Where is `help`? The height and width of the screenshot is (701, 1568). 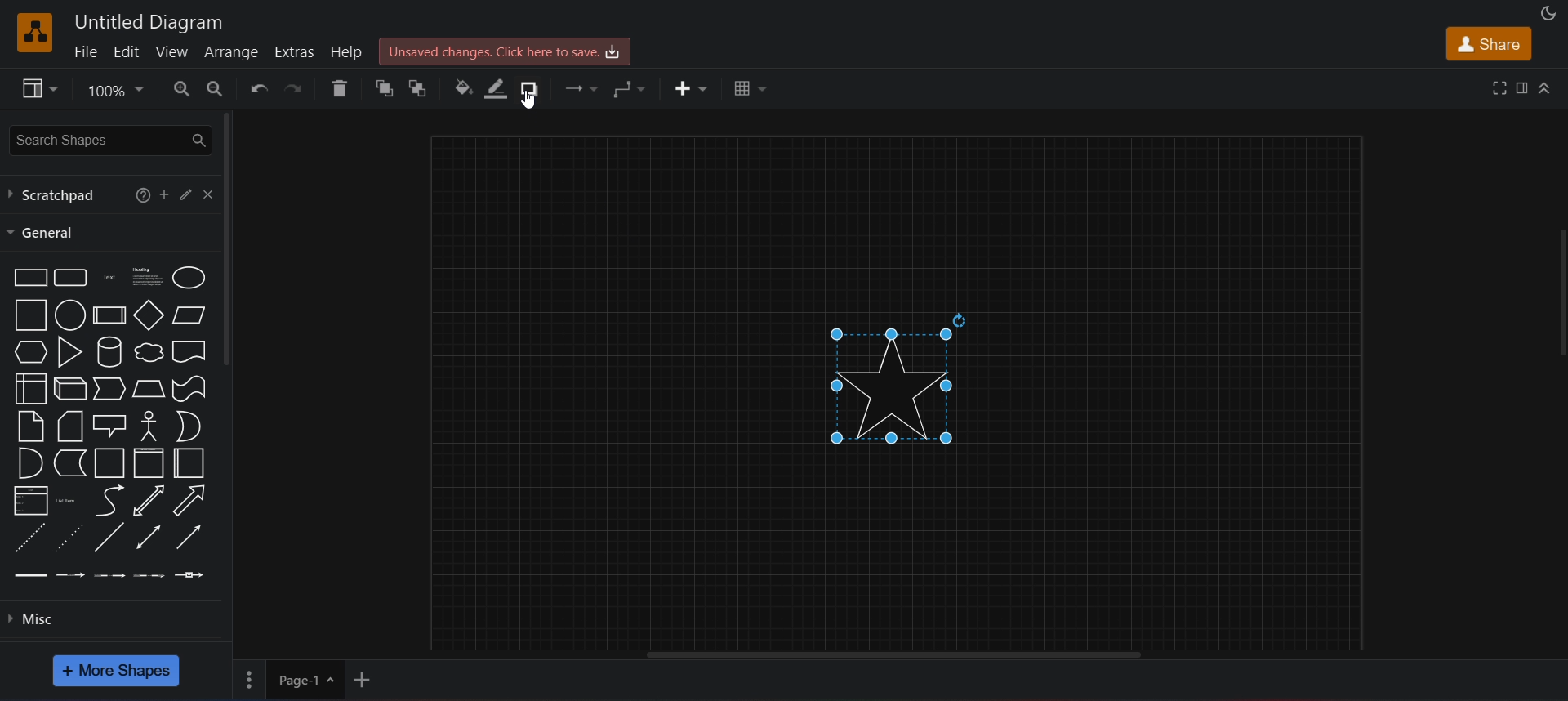 help is located at coordinates (140, 196).